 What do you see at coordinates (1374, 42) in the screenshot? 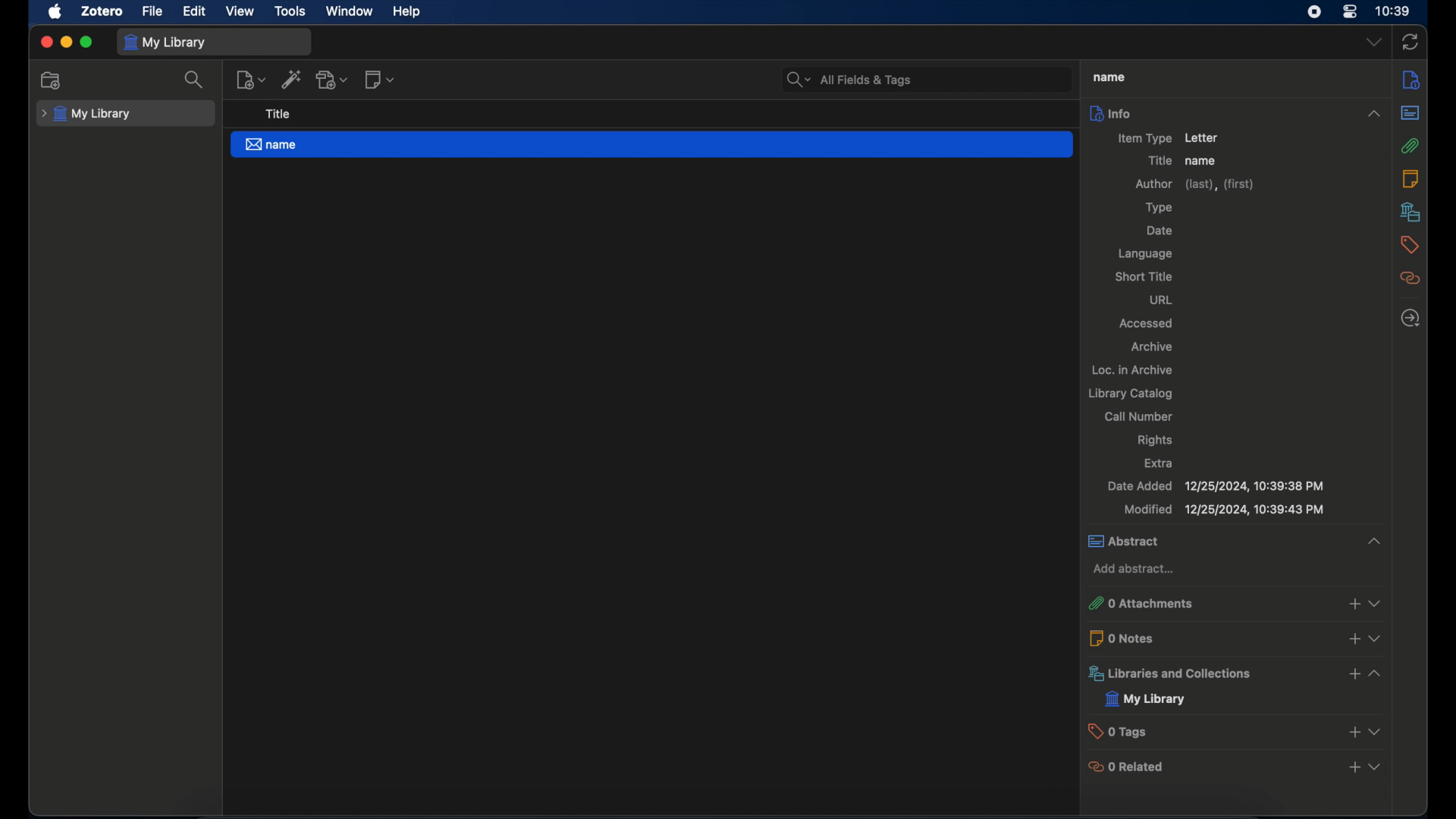
I see `dropdown` at bounding box center [1374, 42].